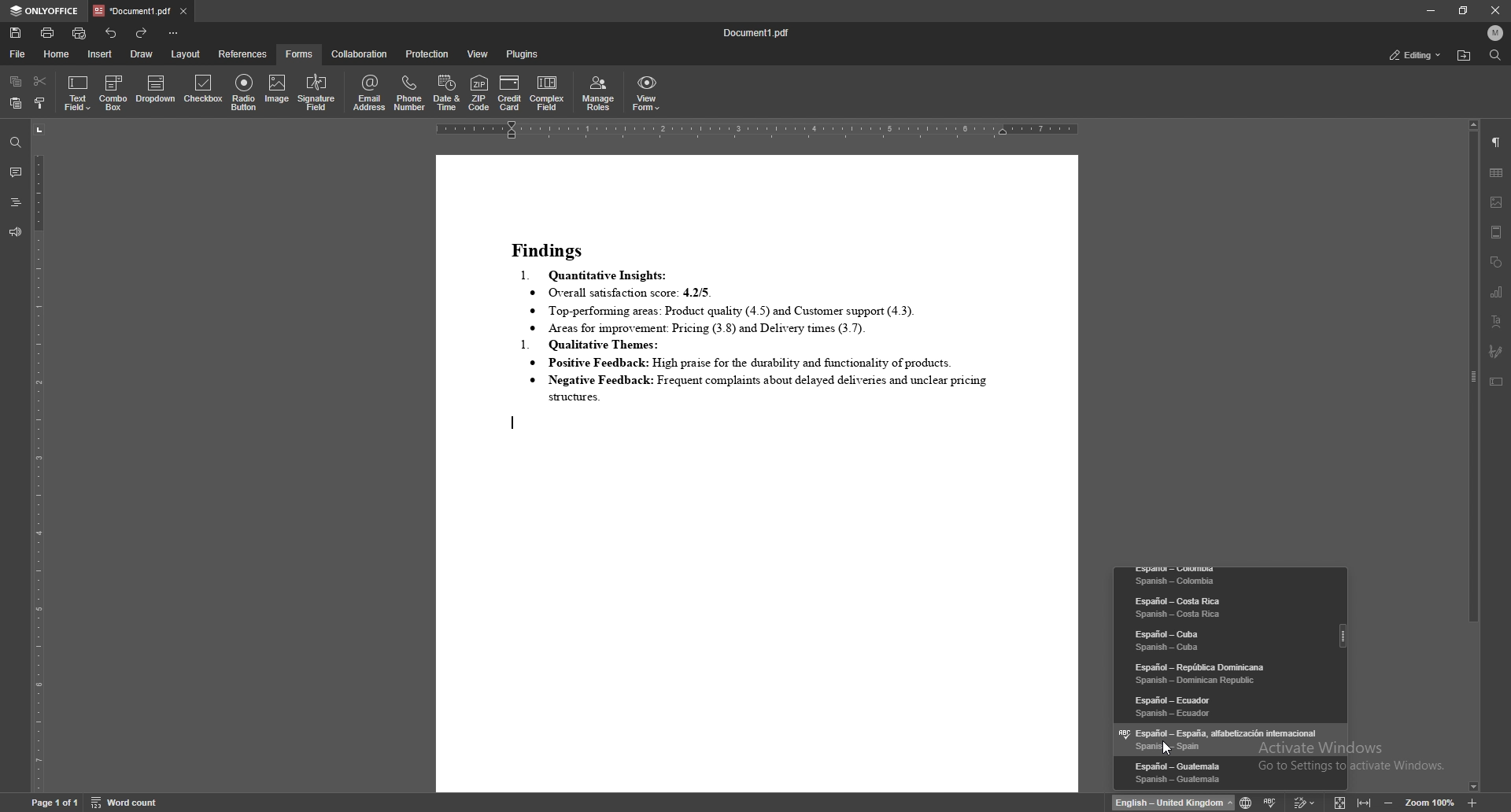  Describe the element at coordinates (1167, 748) in the screenshot. I see `cursor` at that location.